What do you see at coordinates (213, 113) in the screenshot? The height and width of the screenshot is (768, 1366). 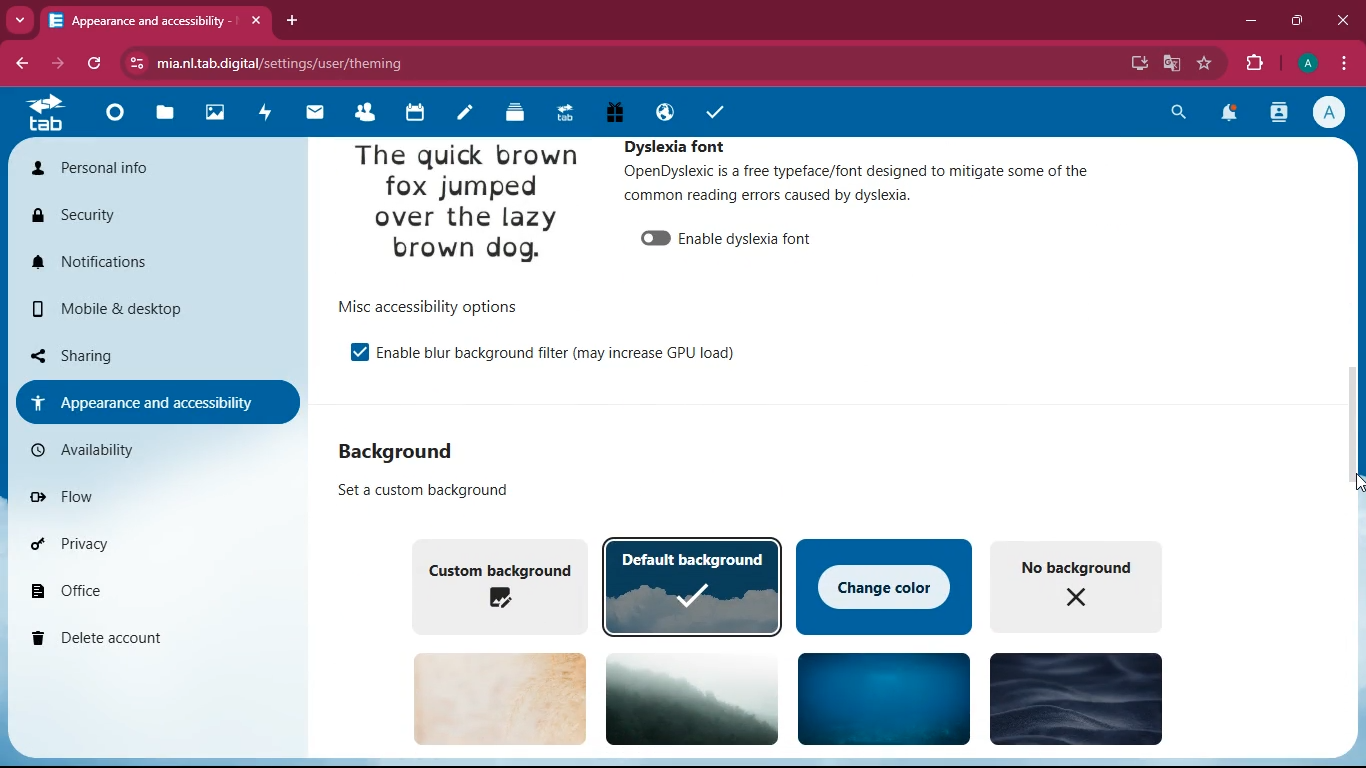 I see `images` at bounding box center [213, 113].